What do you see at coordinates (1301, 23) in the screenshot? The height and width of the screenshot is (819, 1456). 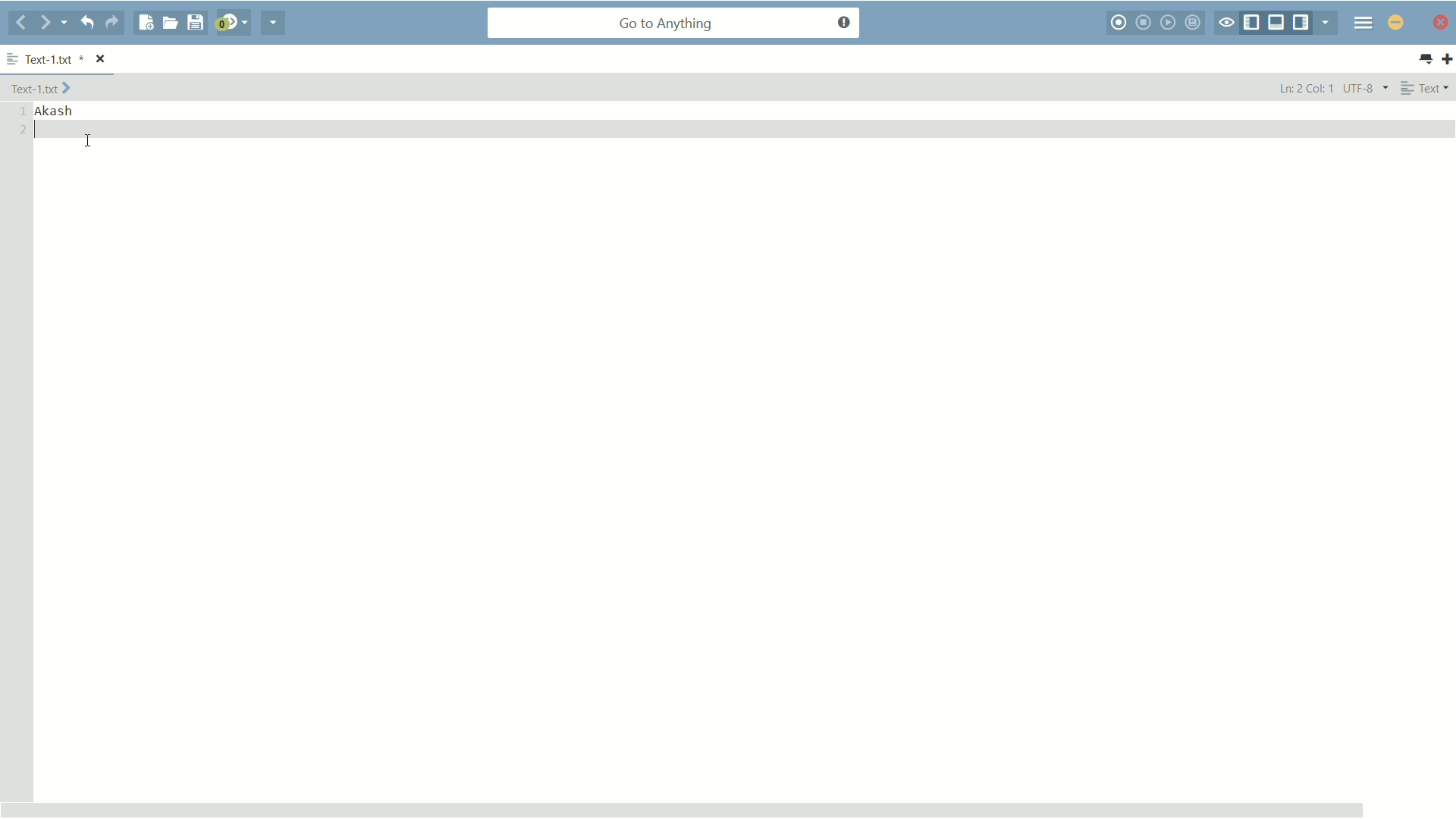 I see `show/hide right panel` at bounding box center [1301, 23].